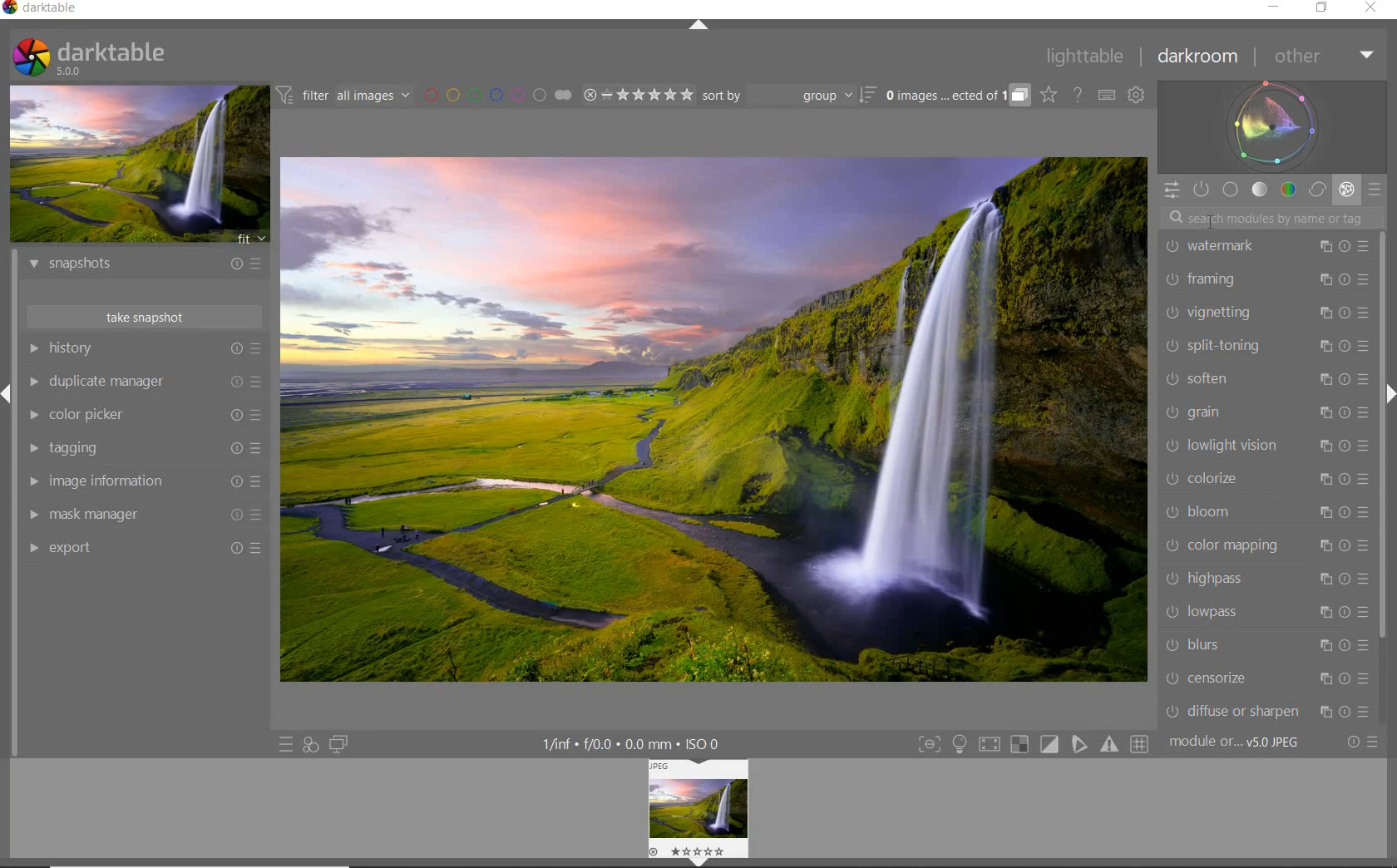 This screenshot has height=868, width=1397. Describe the element at coordinates (137, 165) in the screenshot. I see `IMAGE PREVIEW` at that location.